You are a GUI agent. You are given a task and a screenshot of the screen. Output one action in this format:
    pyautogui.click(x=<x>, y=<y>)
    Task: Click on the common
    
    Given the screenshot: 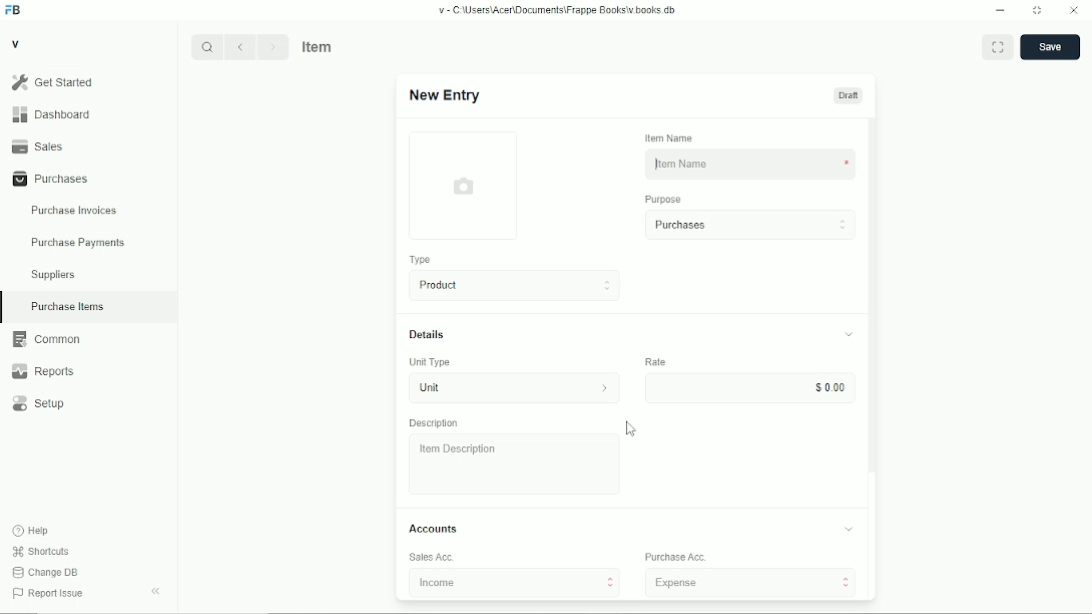 What is the action you would take?
    pyautogui.click(x=47, y=339)
    